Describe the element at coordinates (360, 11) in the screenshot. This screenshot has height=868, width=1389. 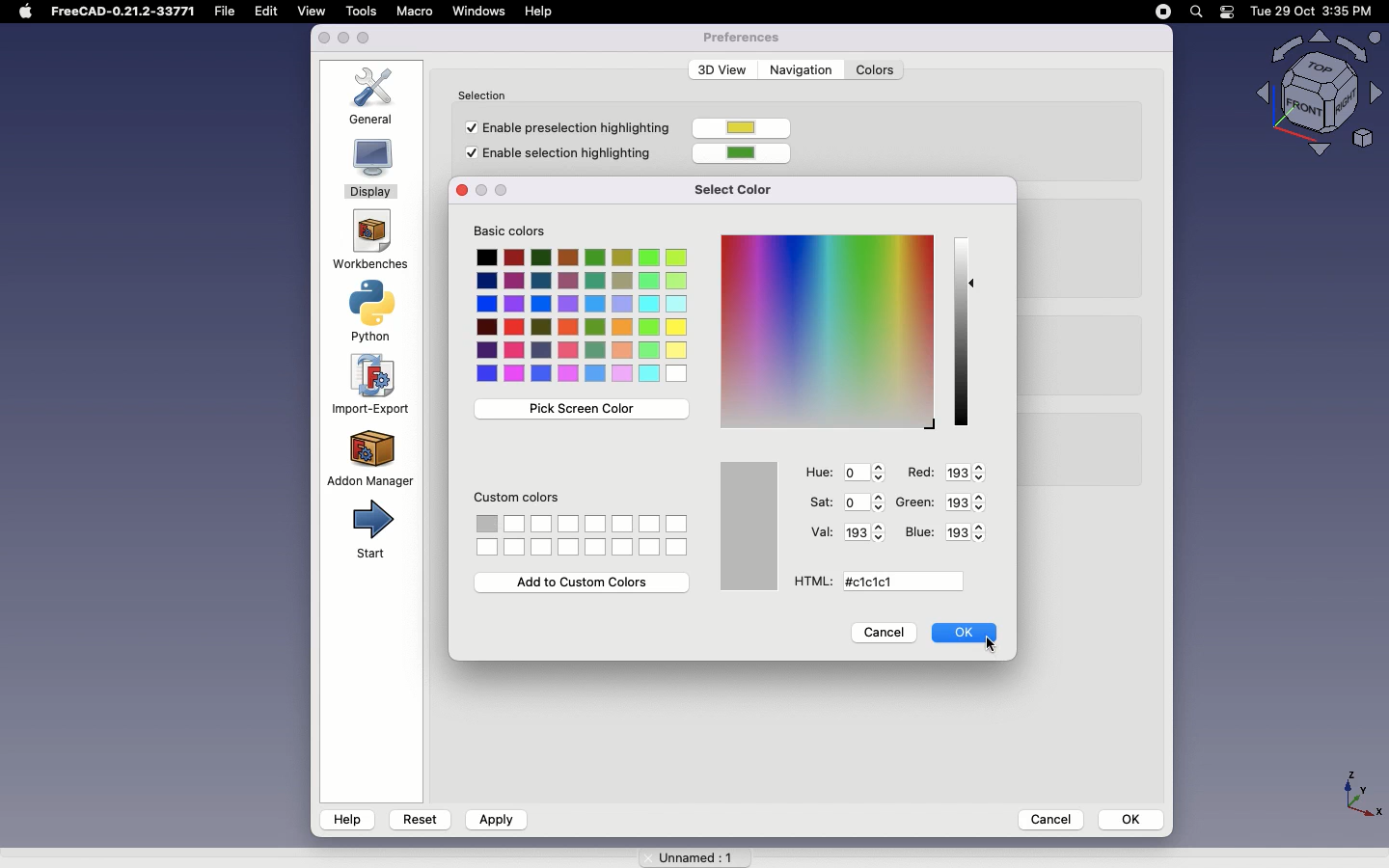
I see `tools` at that location.